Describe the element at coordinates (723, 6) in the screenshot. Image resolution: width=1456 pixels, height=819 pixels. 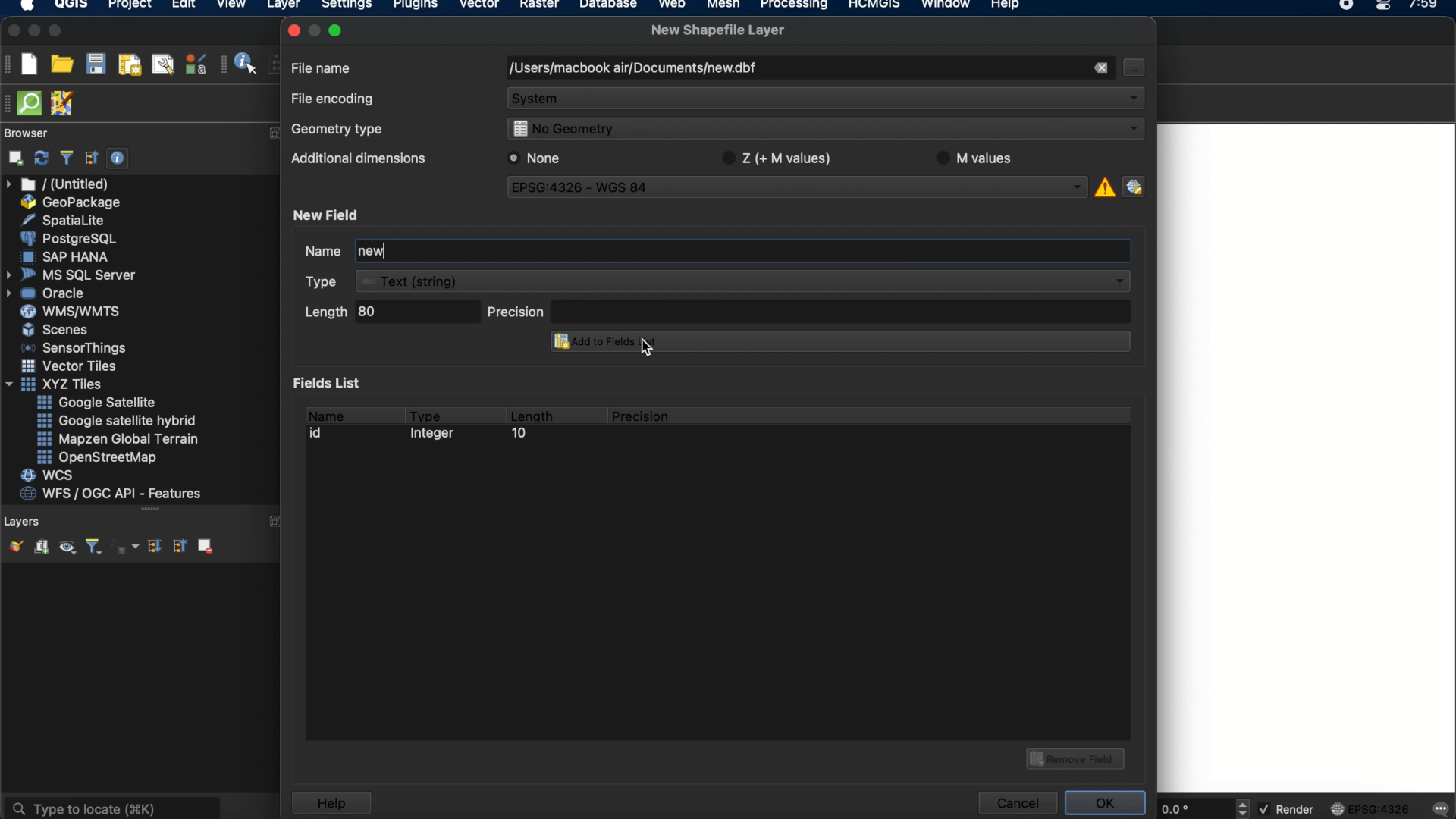
I see `mesh` at that location.